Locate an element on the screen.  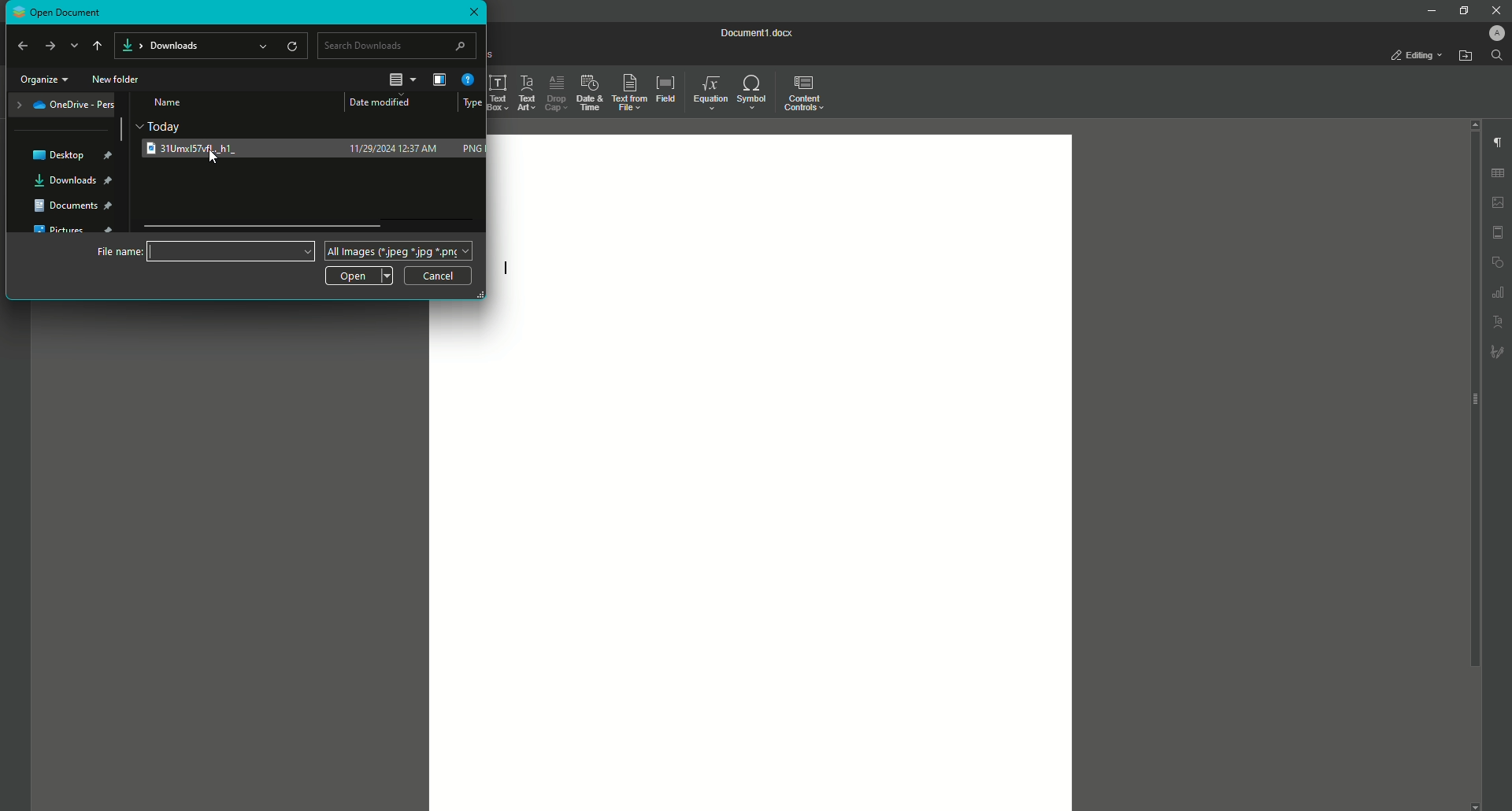
Filter is located at coordinates (439, 81).